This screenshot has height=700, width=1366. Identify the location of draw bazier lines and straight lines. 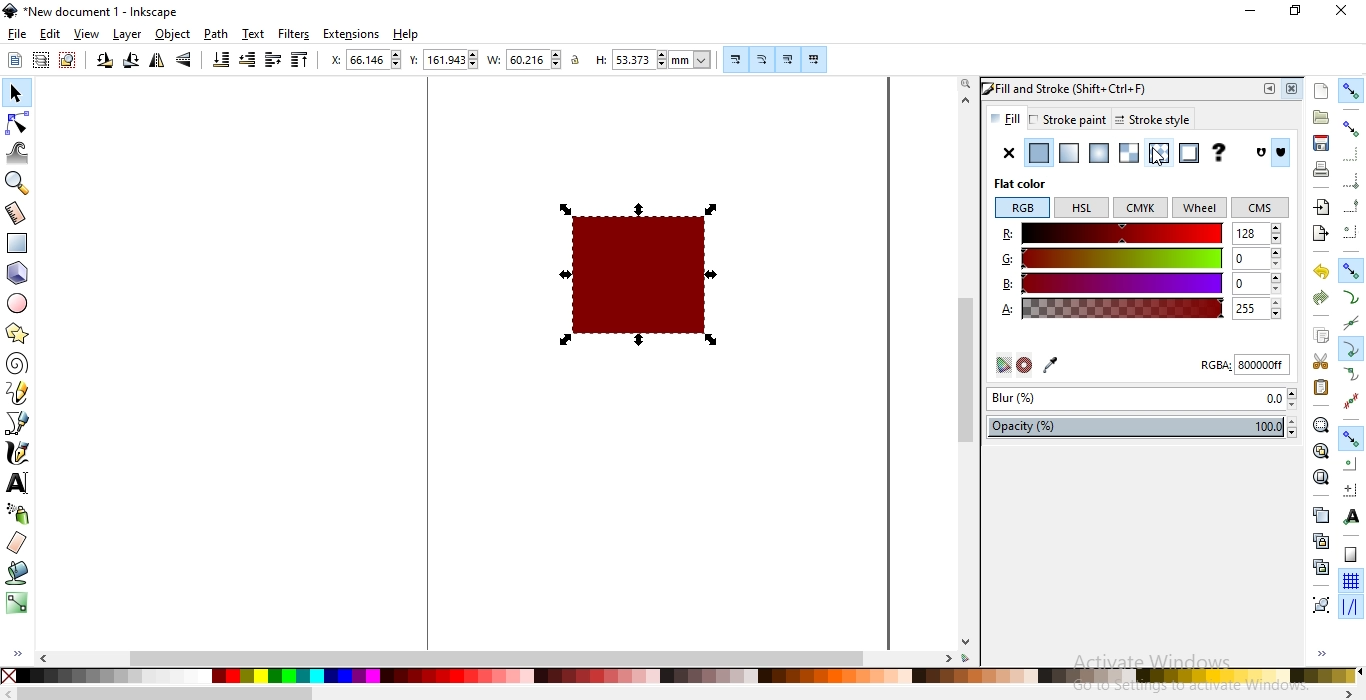
(18, 423).